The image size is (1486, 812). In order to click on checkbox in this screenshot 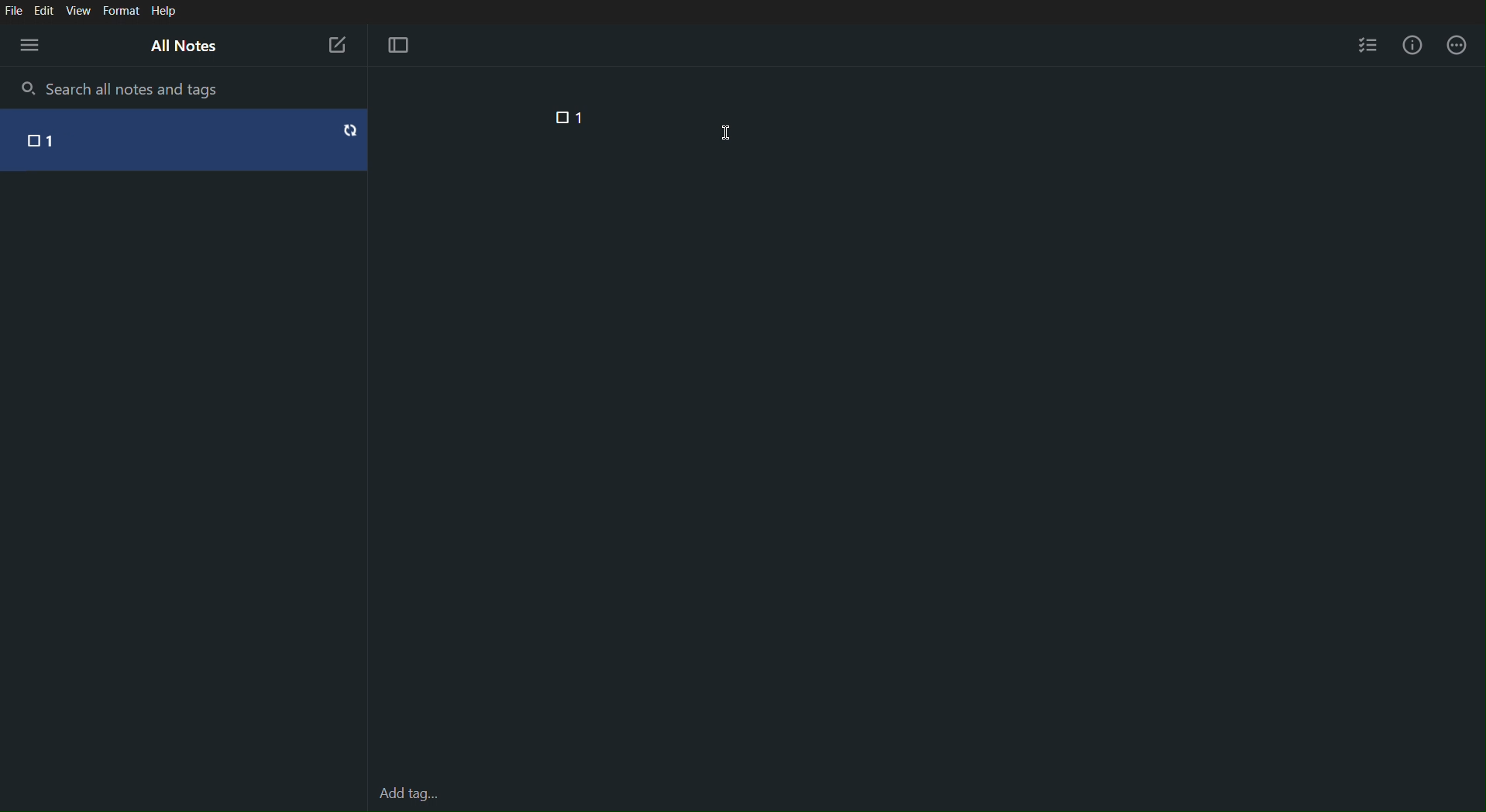, I will do `click(29, 141)`.